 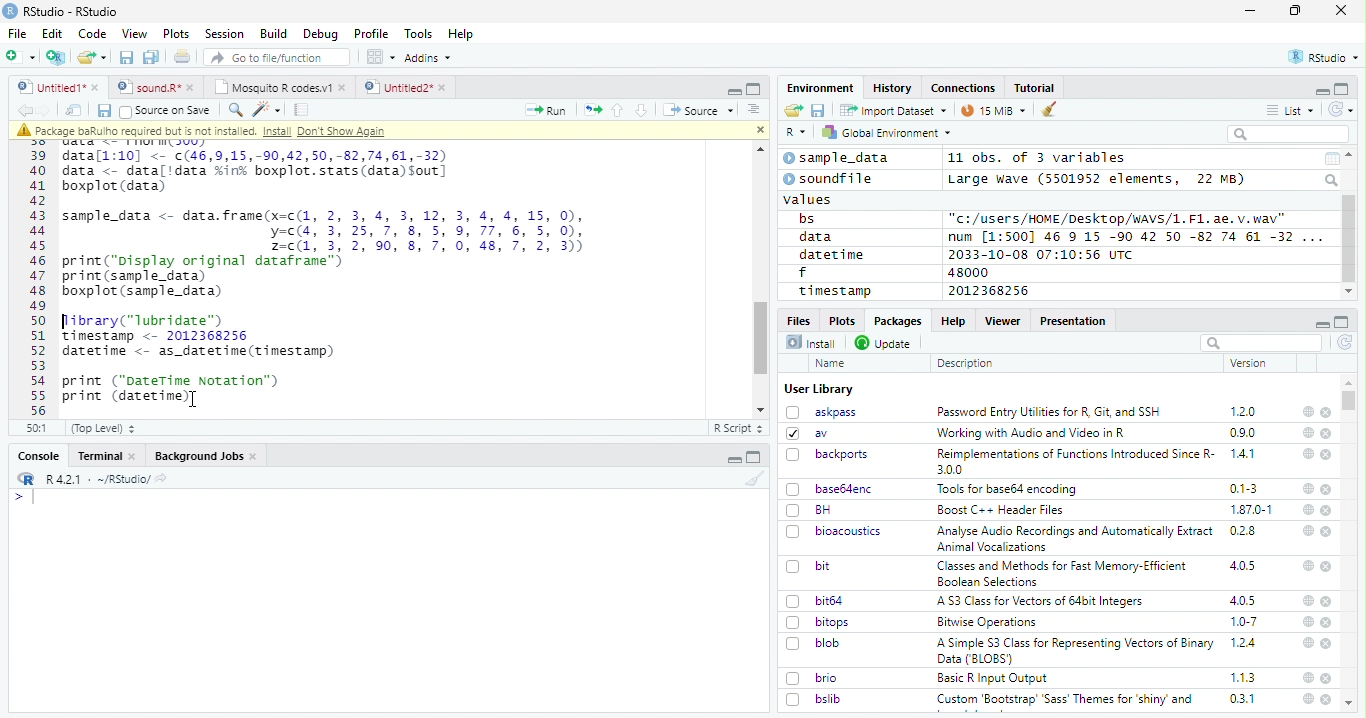 I want to click on R, so click(x=796, y=133).